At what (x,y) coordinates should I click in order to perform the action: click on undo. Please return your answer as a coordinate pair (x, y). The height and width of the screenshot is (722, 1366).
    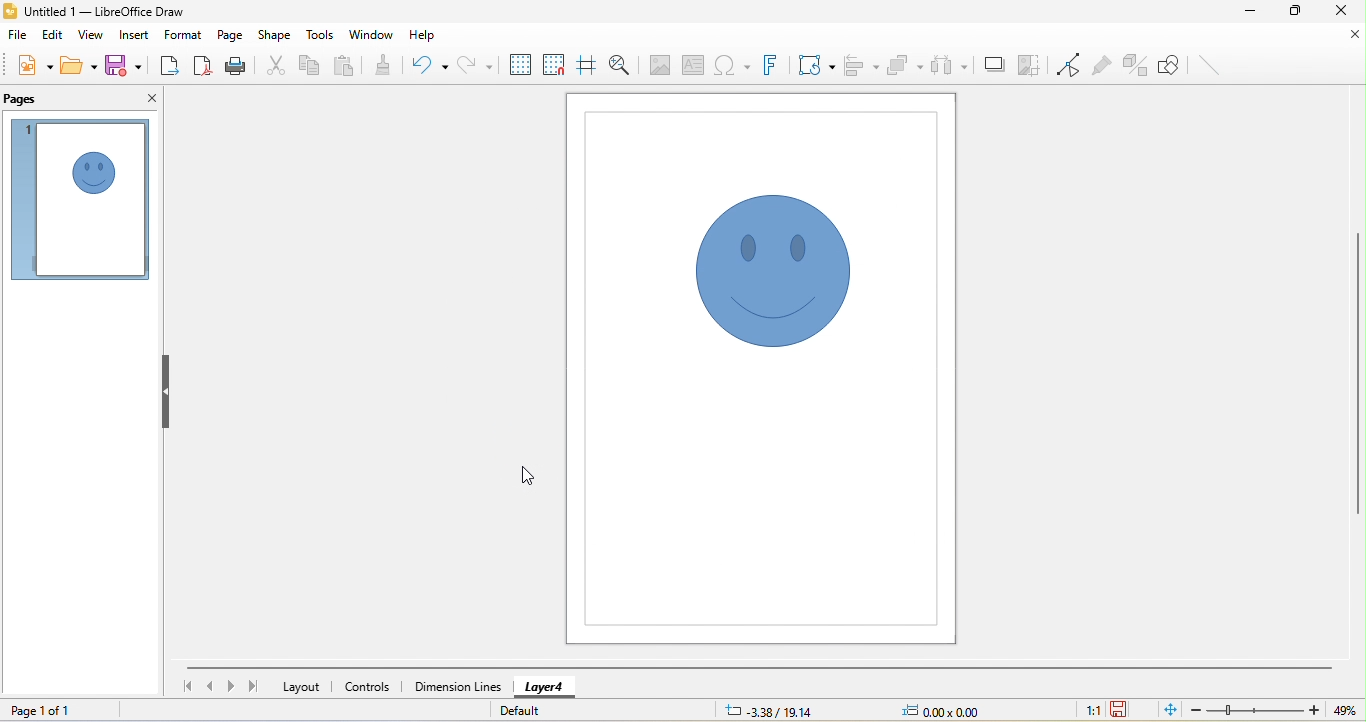
    Looking at the image, I should click on (430, 67).